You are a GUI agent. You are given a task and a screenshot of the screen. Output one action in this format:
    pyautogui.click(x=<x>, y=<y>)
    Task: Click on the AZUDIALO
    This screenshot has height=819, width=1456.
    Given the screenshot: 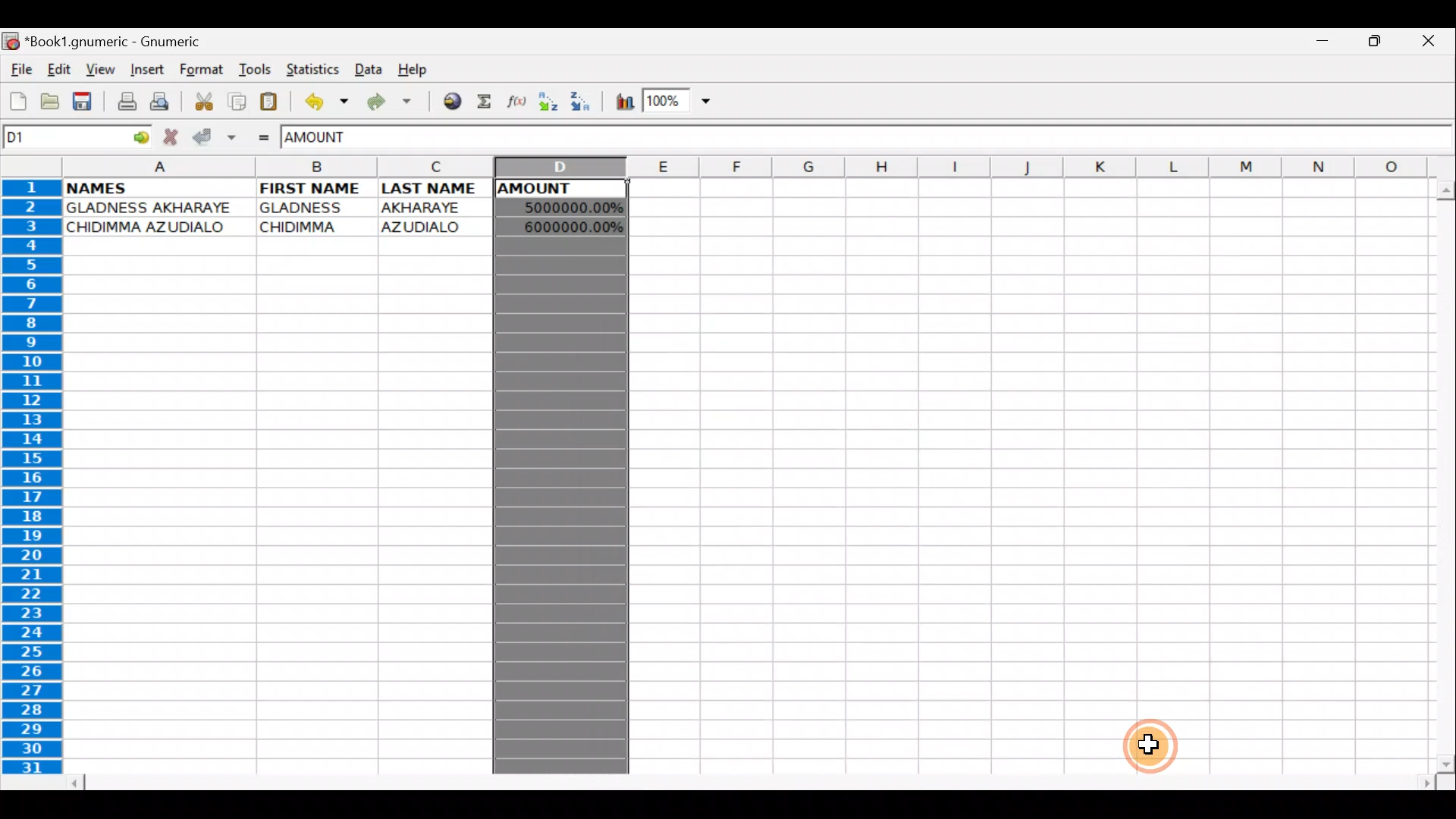 What is the action you would take?
    pyautogui.click(x=427, y=226)
    